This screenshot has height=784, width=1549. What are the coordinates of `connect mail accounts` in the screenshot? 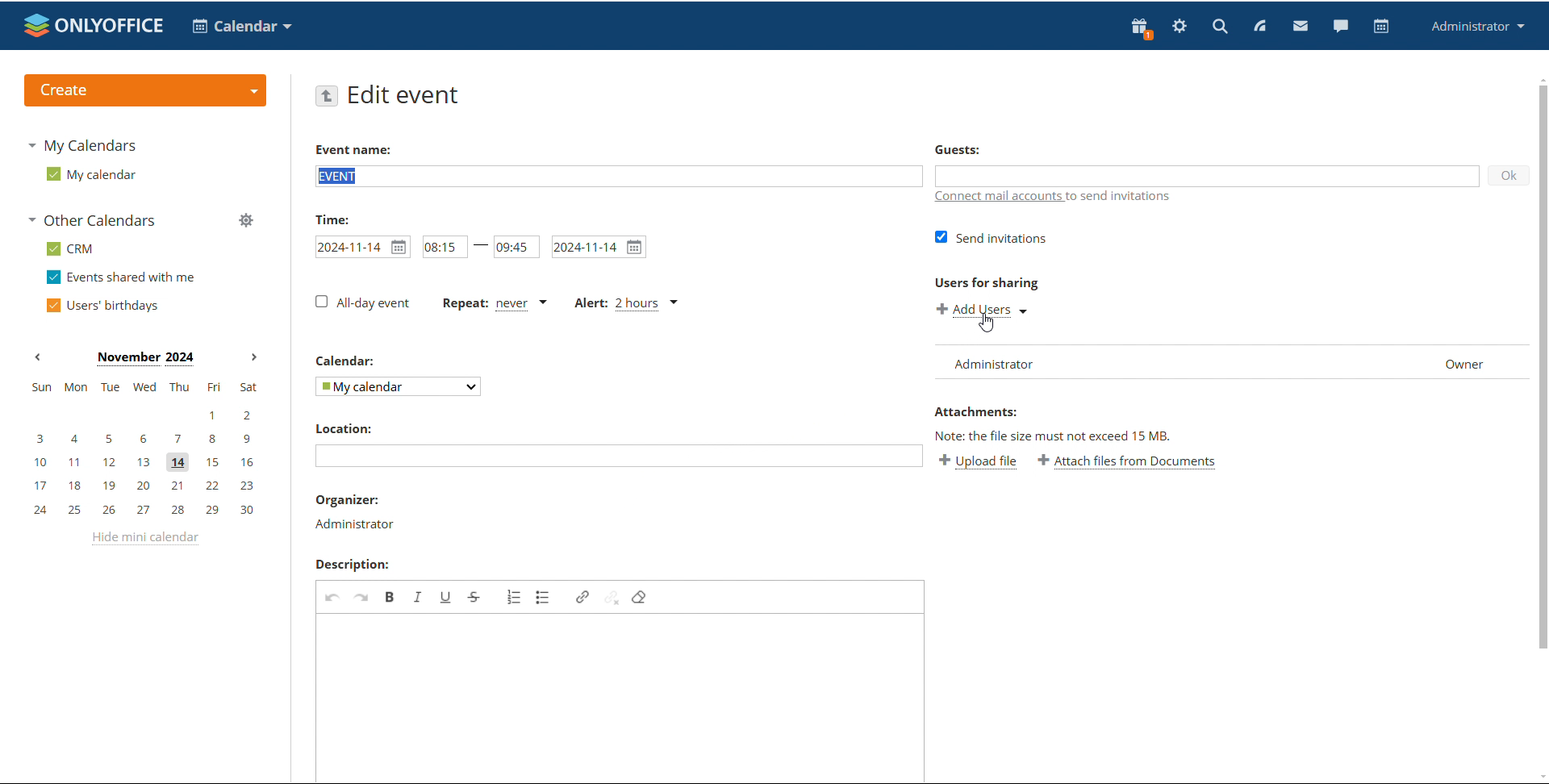 It's located at (1083, 196).